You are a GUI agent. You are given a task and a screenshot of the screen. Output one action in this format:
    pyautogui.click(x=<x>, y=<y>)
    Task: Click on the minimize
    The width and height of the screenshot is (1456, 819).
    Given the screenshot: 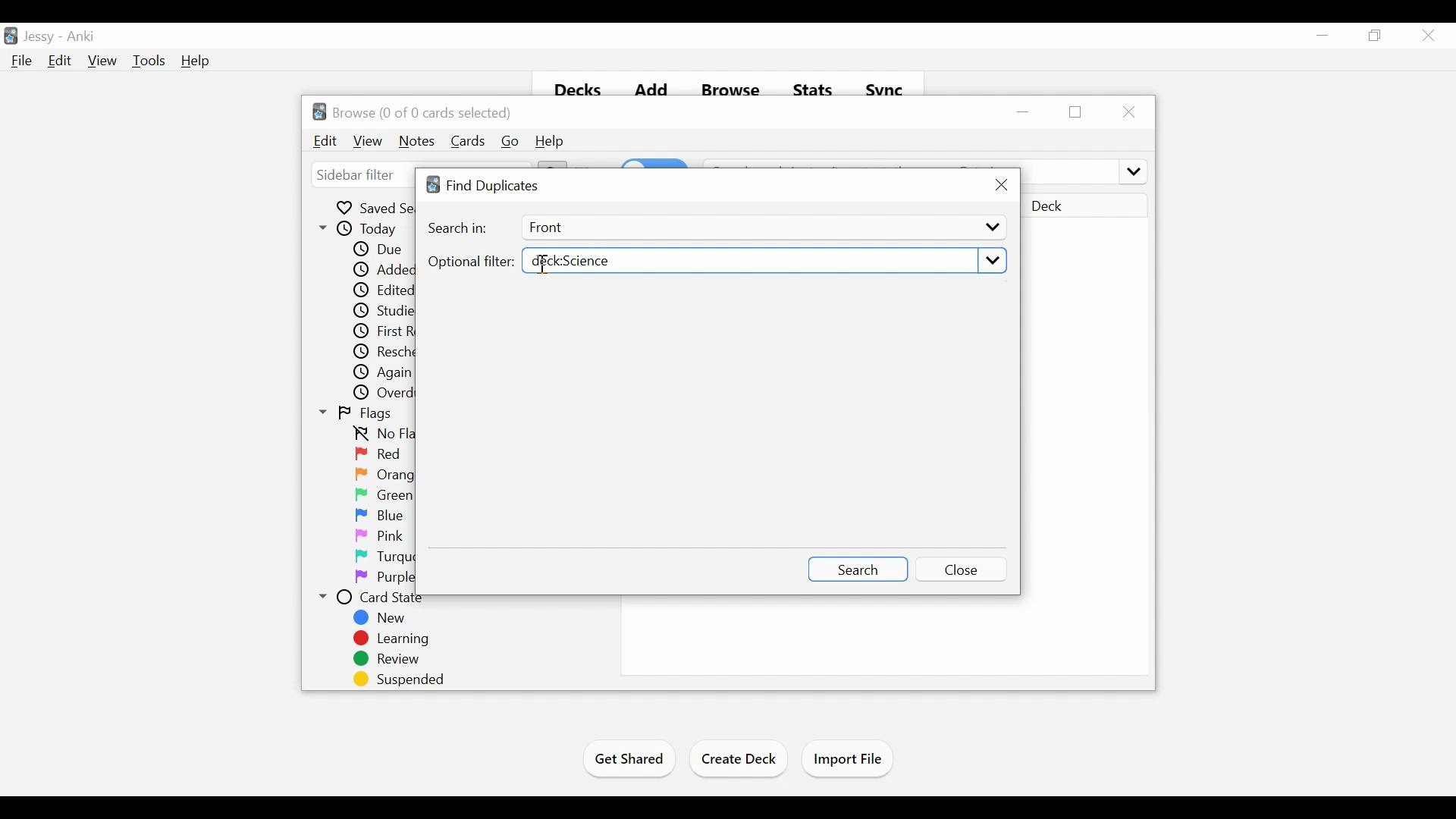 What is the action you would take?
    pyautogui.click(x=1025, y=111)
    